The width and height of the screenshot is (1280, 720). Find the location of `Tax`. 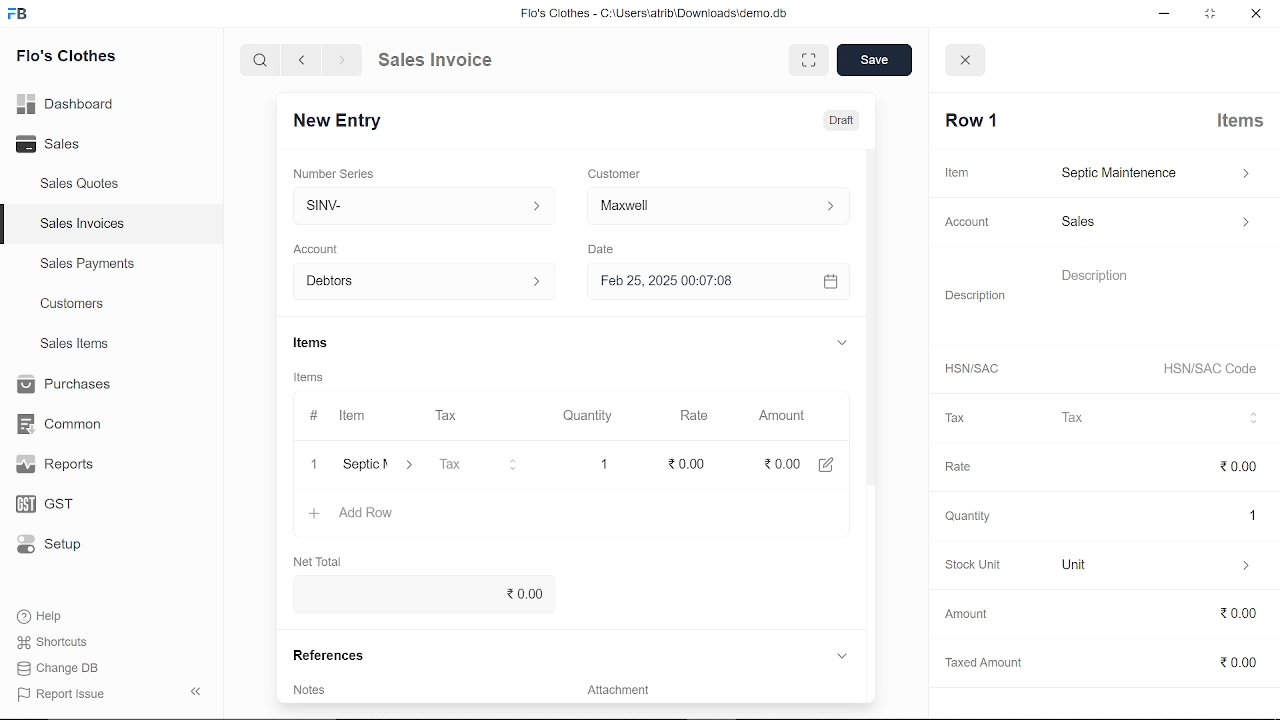

Tax is located at coordinates (482, 465).